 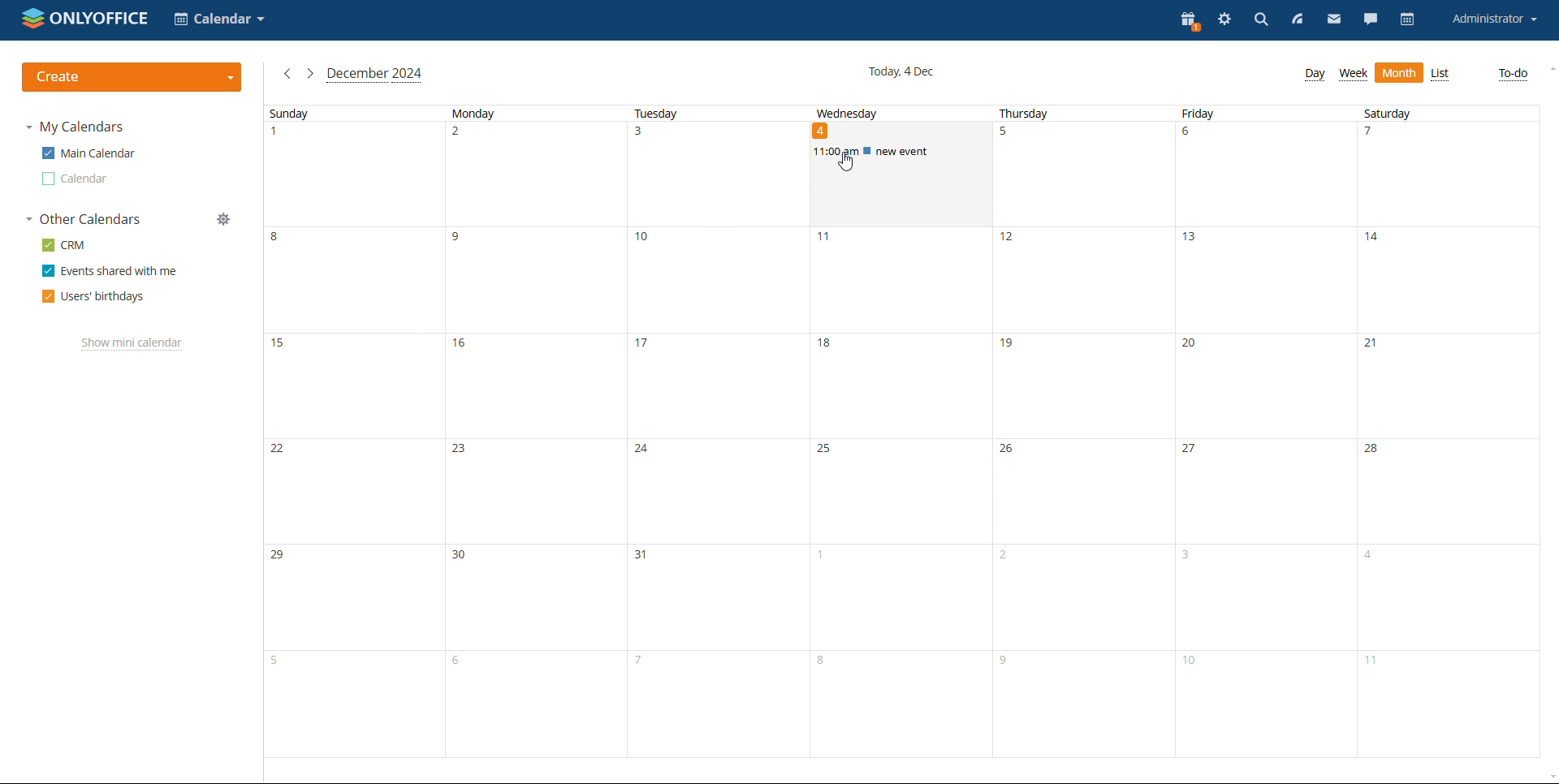 What do you see at coordinates (352, 433) in the screenshot?
I see `sunday` at bounding box center [352, 433].